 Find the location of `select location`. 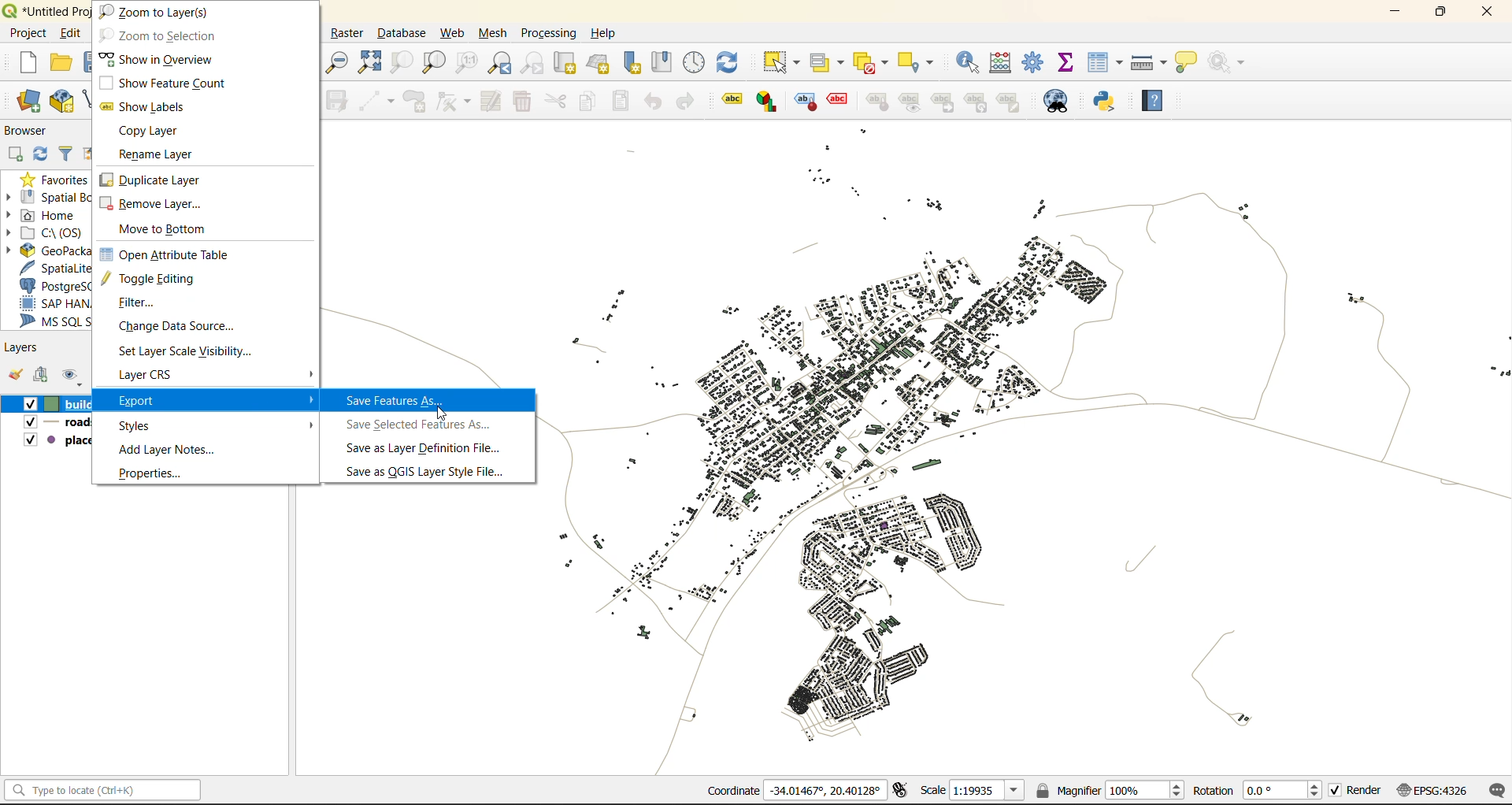

select location is located at coordinates (917, 62).